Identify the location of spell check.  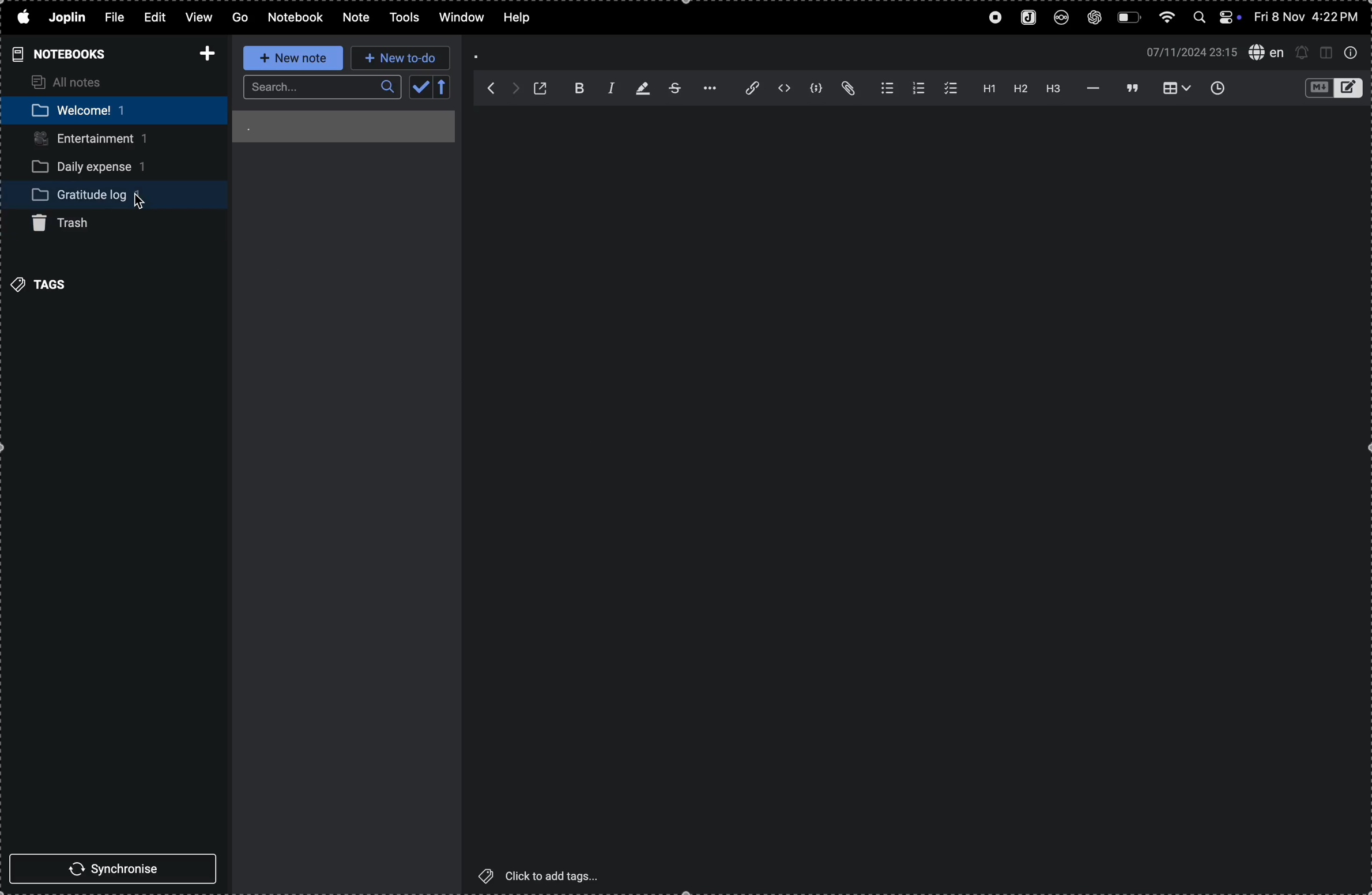
(1268, 51).